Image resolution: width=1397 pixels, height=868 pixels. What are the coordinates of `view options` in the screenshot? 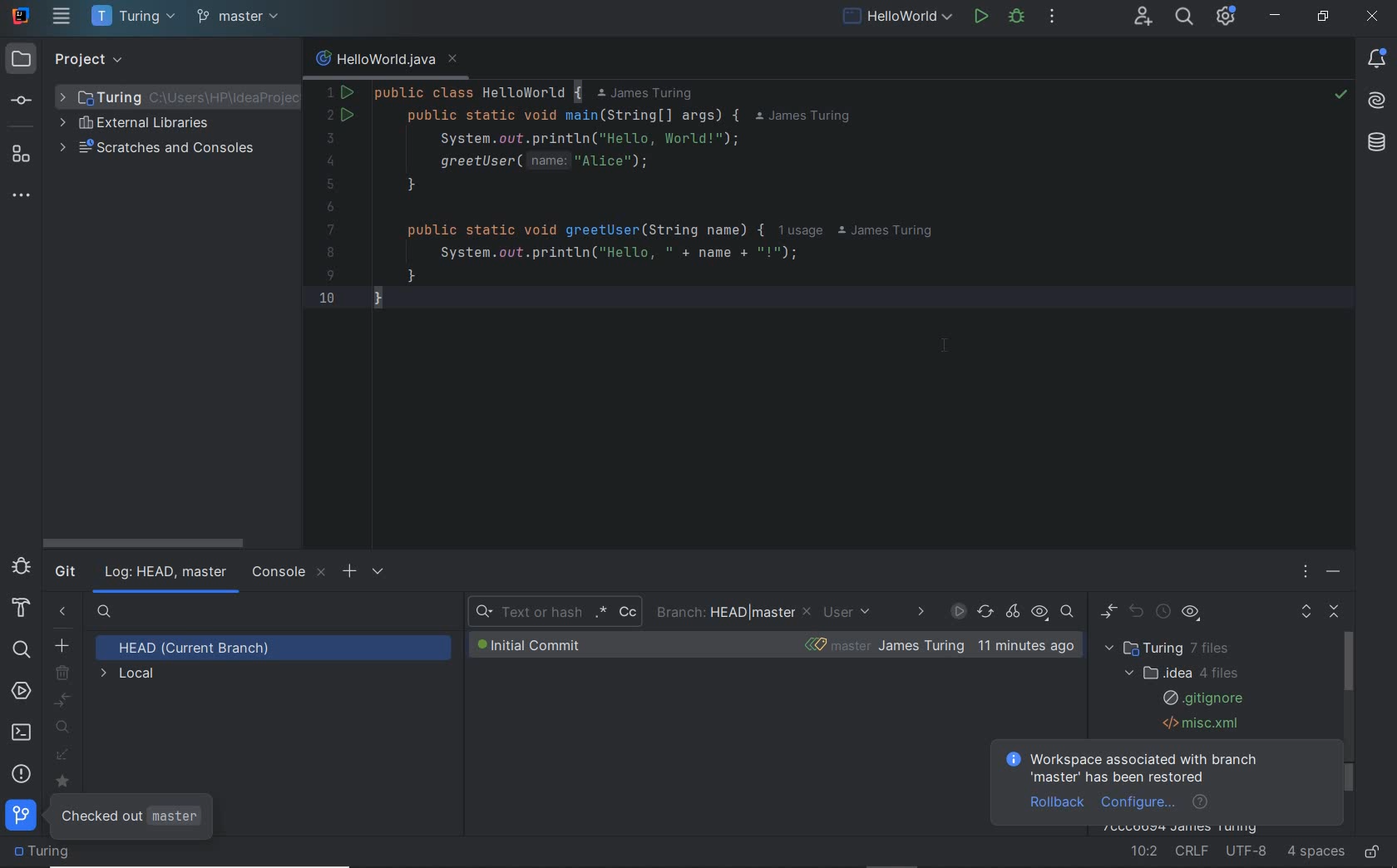 It's located at (1039, 613).